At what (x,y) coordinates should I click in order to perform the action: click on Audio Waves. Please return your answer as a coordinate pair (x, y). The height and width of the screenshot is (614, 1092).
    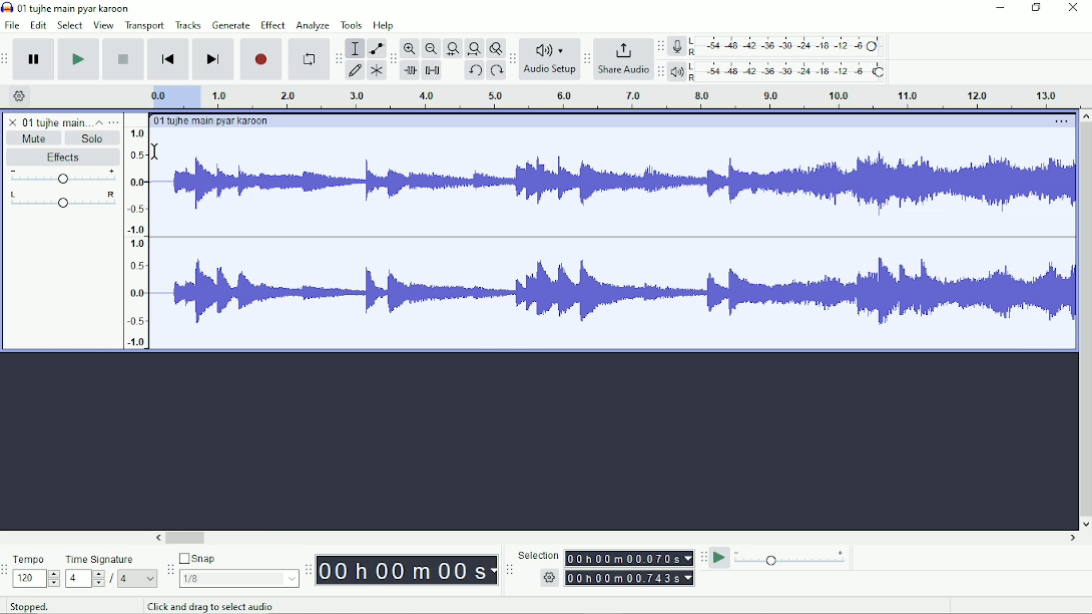
    Looking at the image, I should click on (618, 293).